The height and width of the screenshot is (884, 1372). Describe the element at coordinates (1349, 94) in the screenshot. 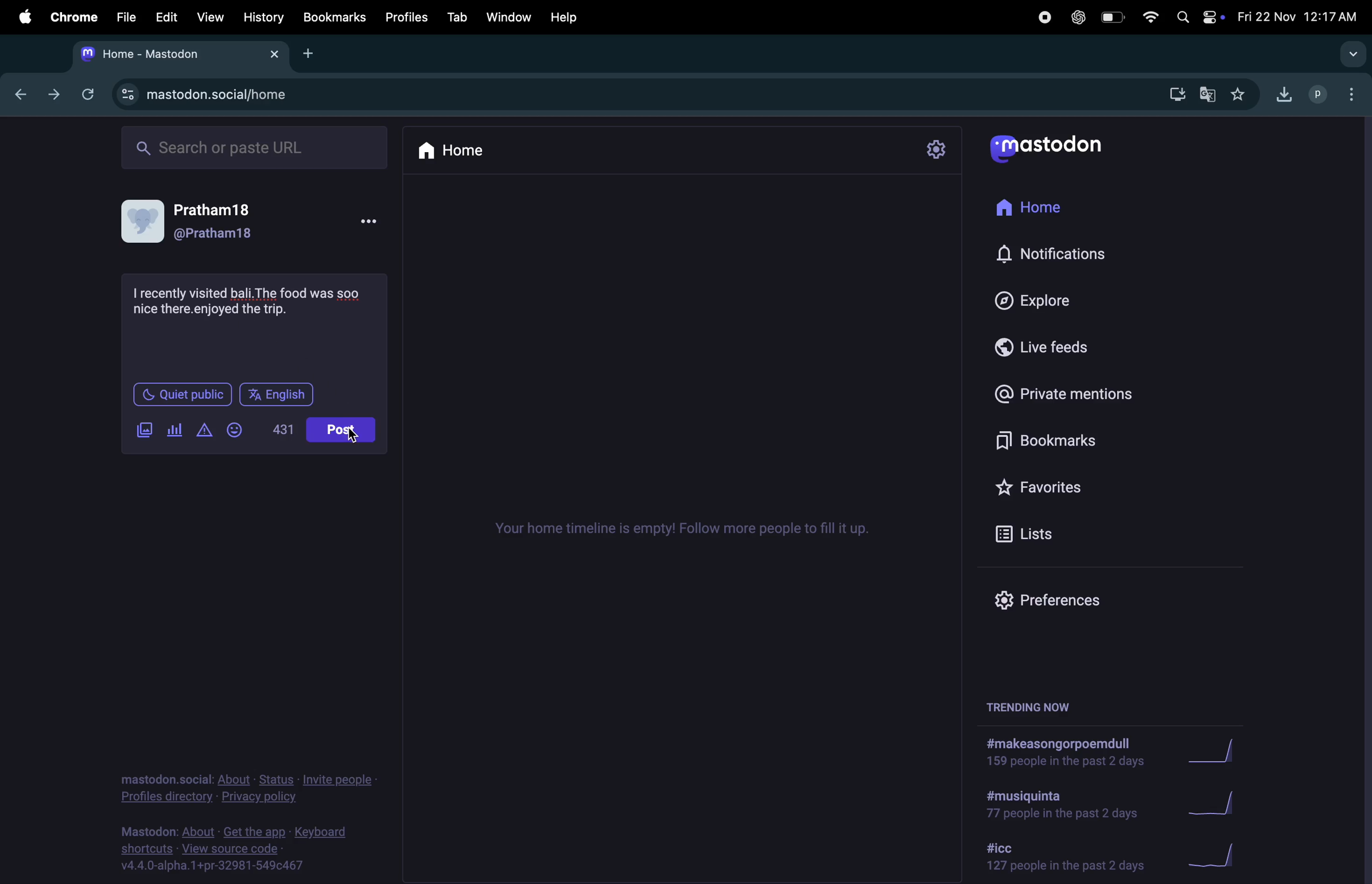

I see `options` at that location.